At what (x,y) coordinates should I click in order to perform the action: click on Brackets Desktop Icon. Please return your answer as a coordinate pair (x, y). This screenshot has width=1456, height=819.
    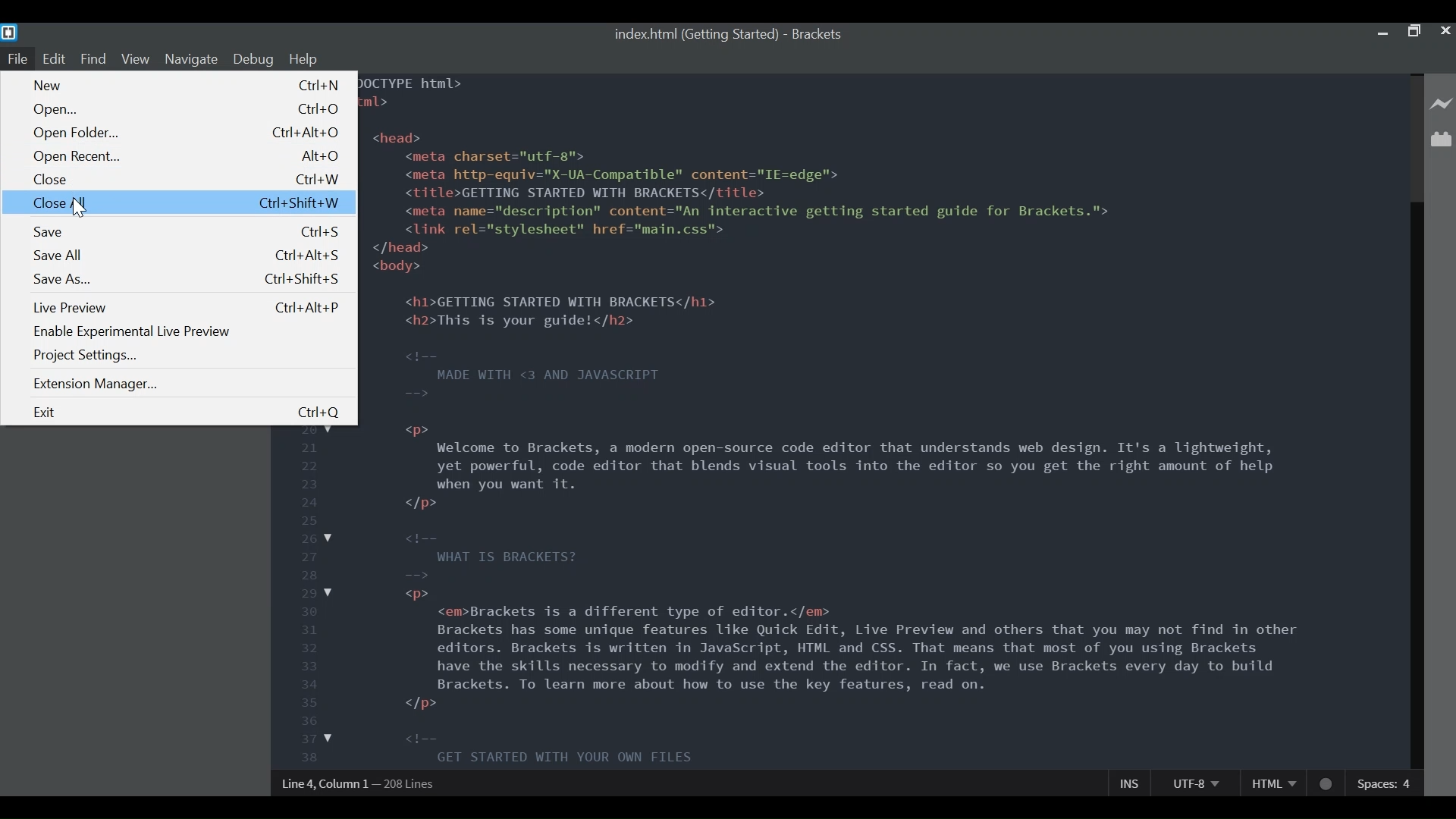
    Looking at the image, I should click on (10, 33).